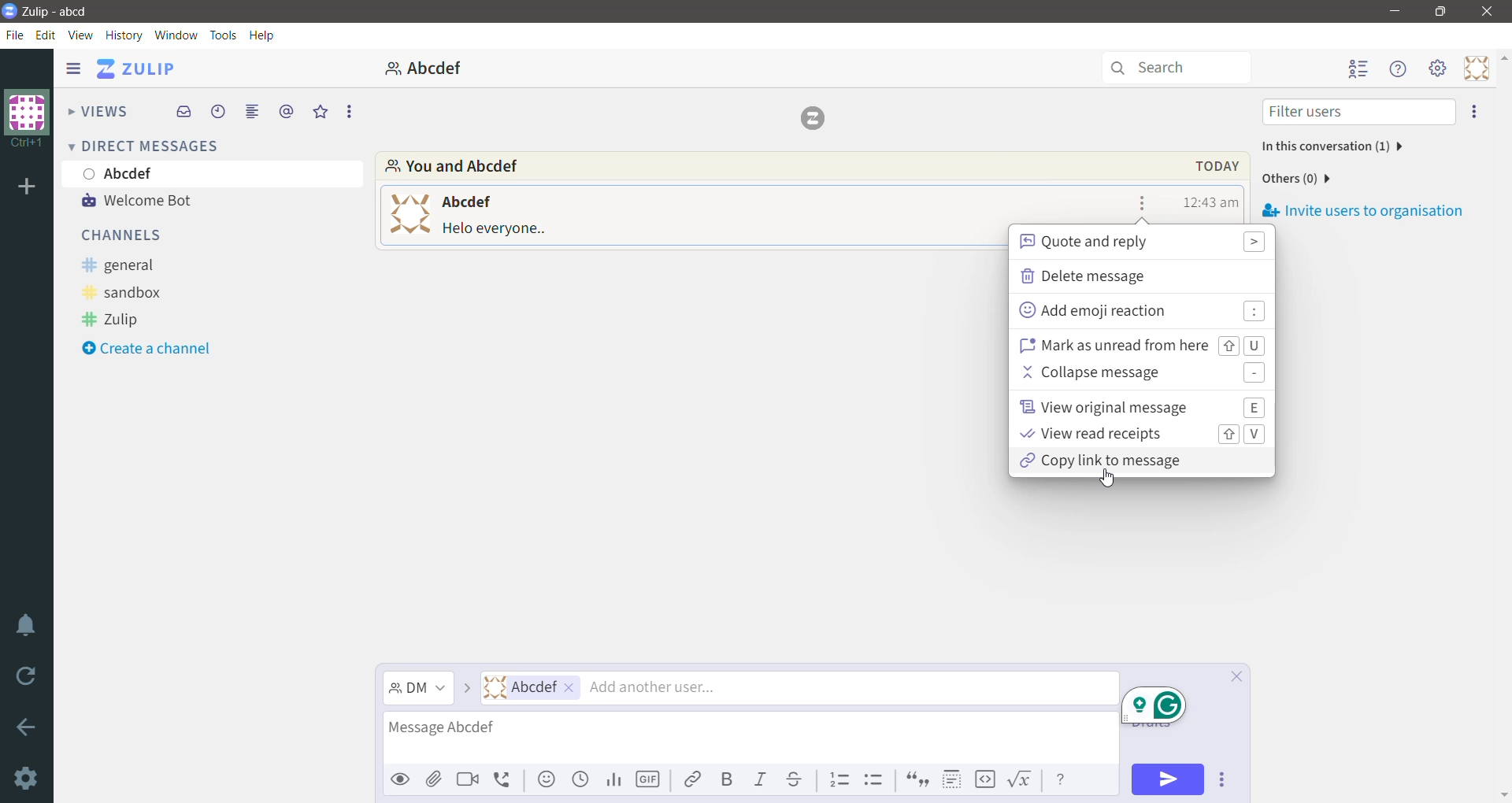  I want to click on , so click(696, 779).